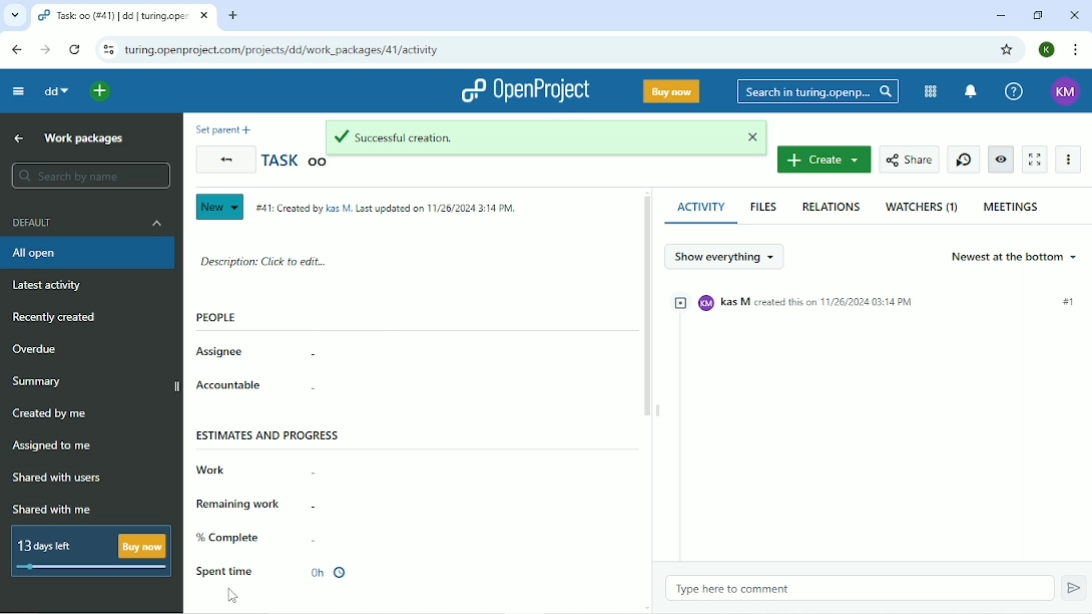 The width and height of the screenshot is (1092, 614). I want to click on Work, so click(213, 469).